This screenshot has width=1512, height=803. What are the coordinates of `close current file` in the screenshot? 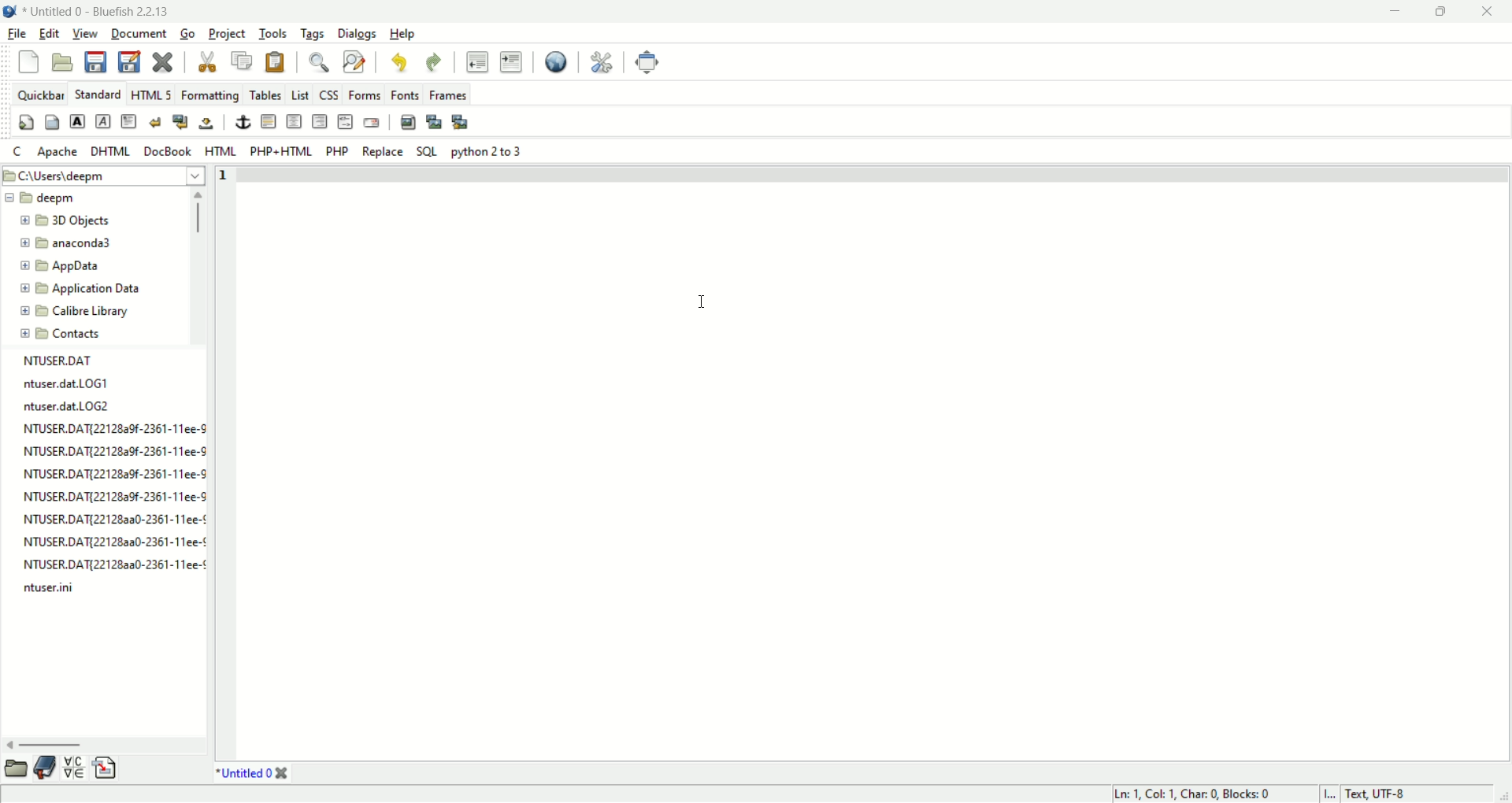 It's located at (163, 62).